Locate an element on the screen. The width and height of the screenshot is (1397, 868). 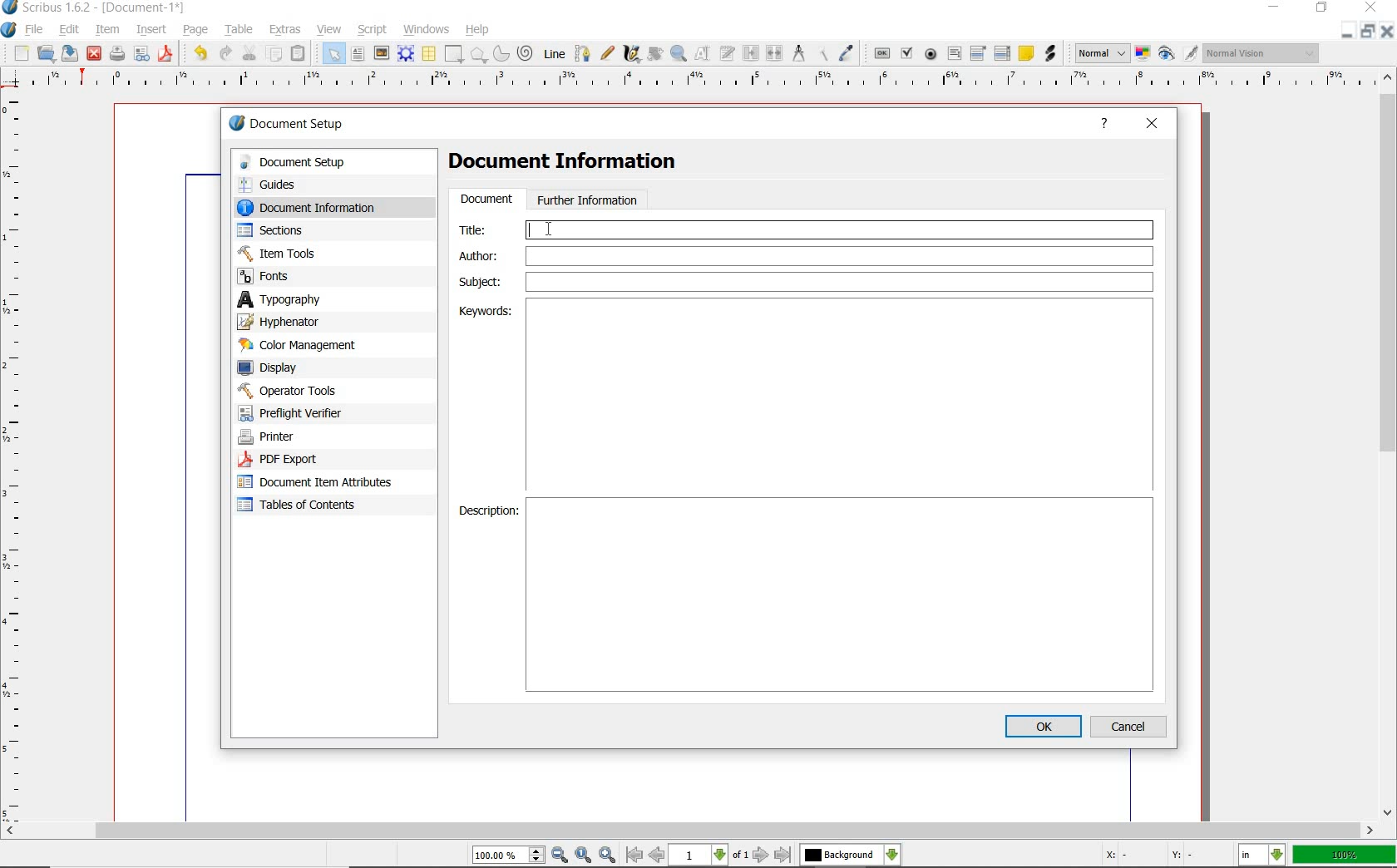
undo is located at coordinates (200, 55).